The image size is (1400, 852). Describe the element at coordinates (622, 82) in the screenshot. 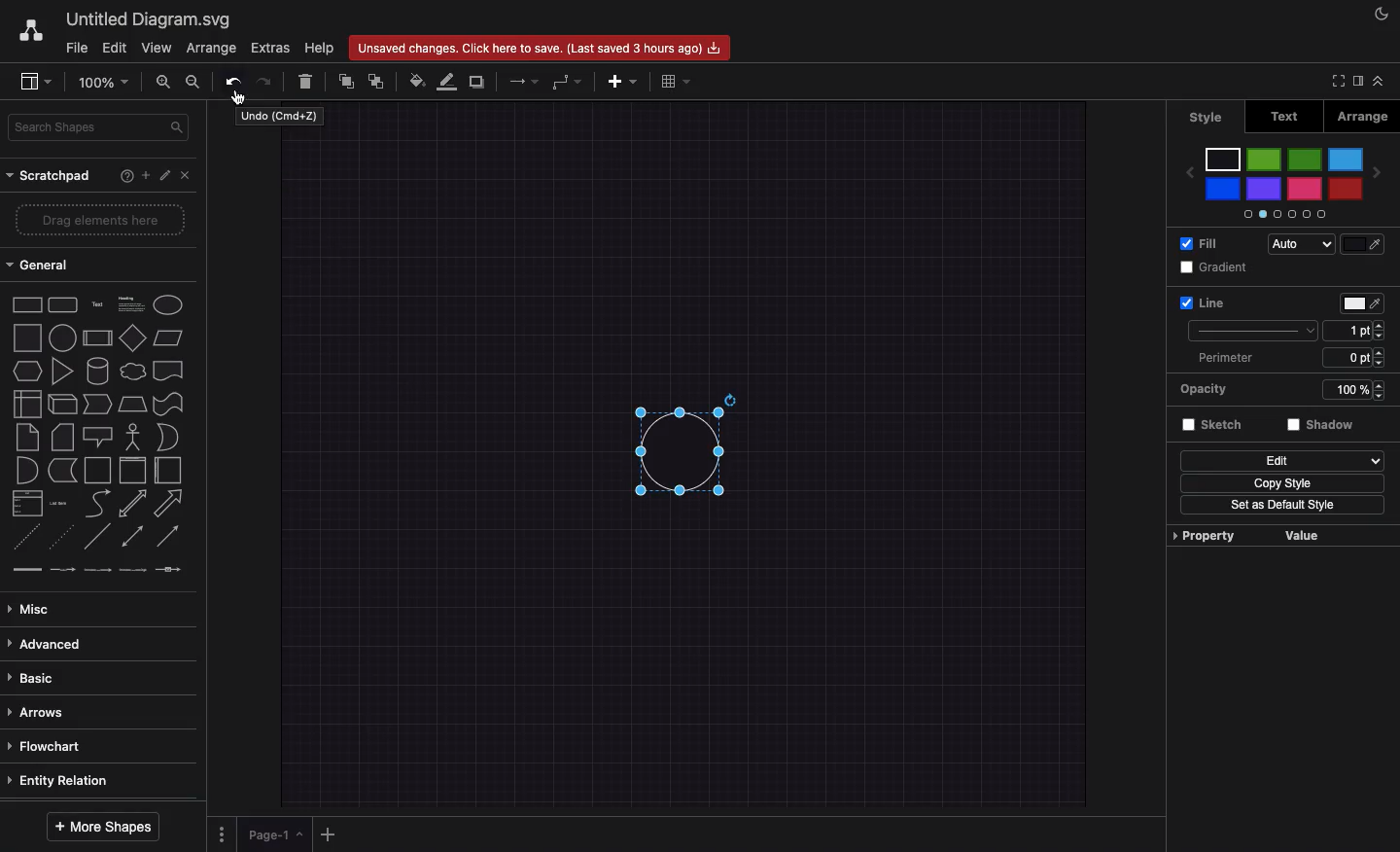

I see `Add` at that location.